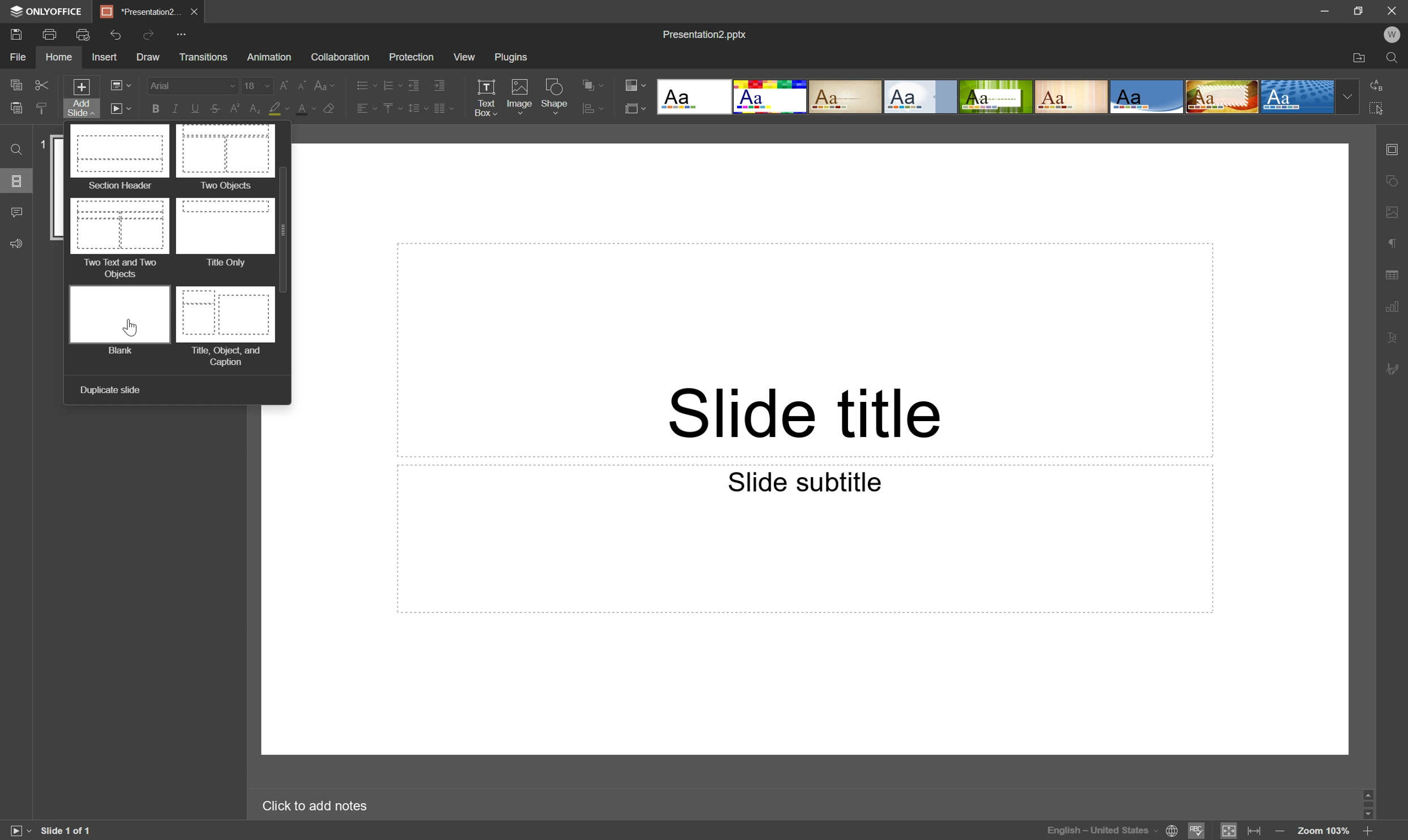  What do you see at coordinates (1360, 58) in the screenshot?
I see `Open file location` at bounding box center [1360, 58].